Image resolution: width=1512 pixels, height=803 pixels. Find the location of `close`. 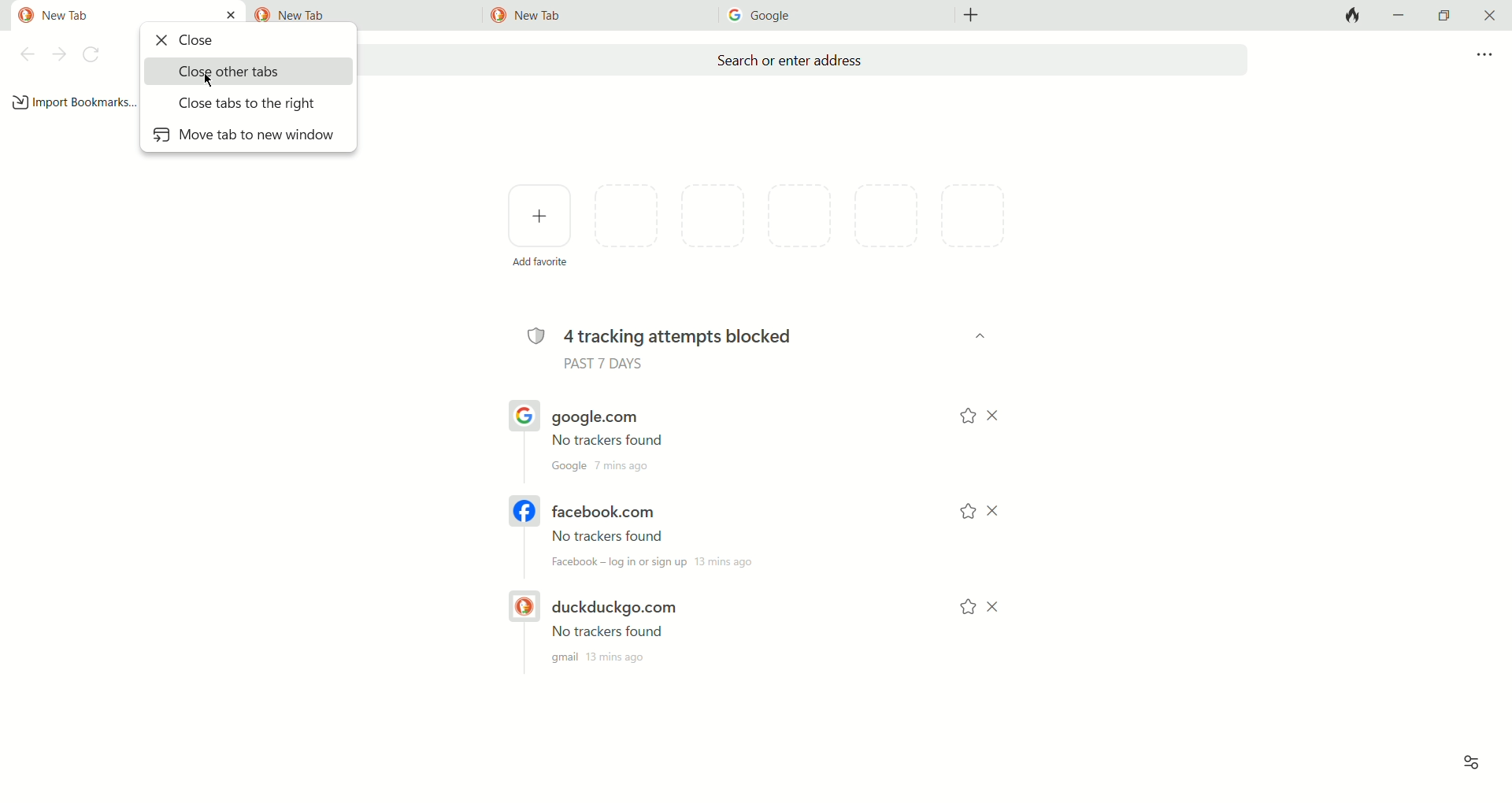

close is located at coordinates (999, 513).